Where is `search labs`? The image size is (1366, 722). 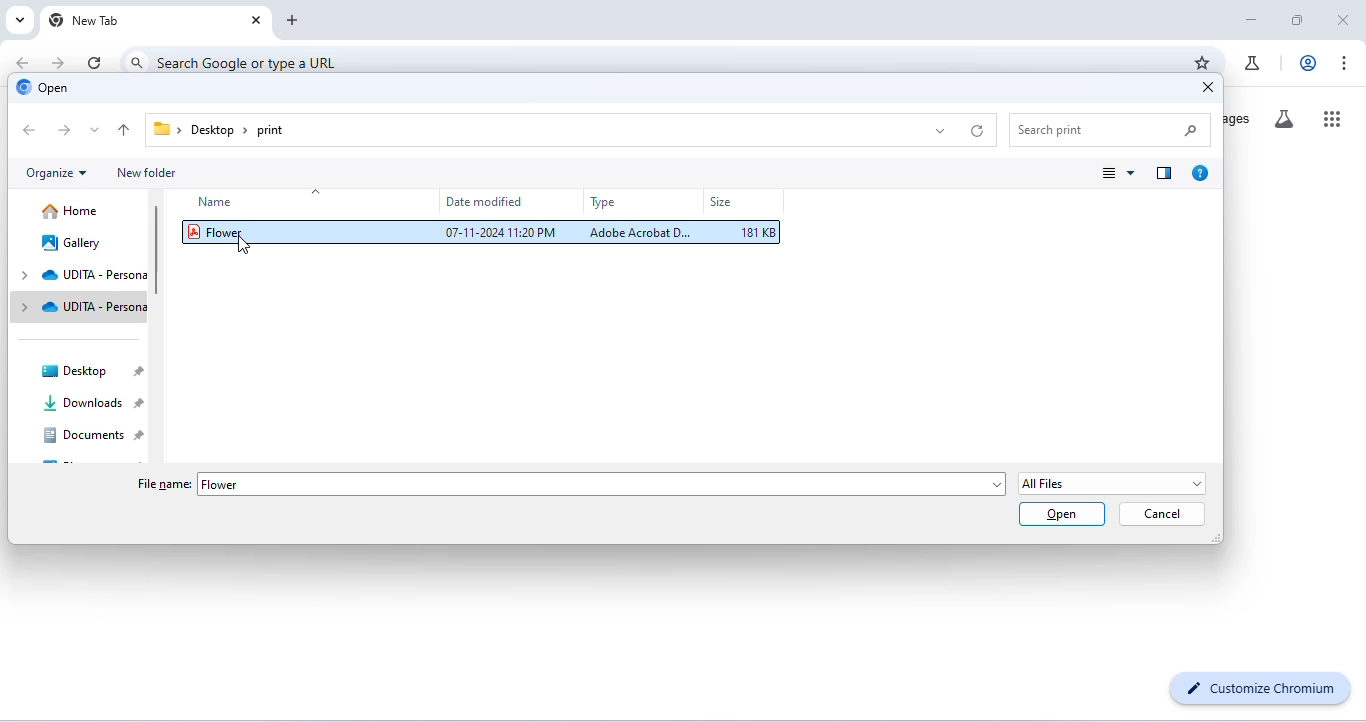 search labs is located at coordinates (1284, 120).